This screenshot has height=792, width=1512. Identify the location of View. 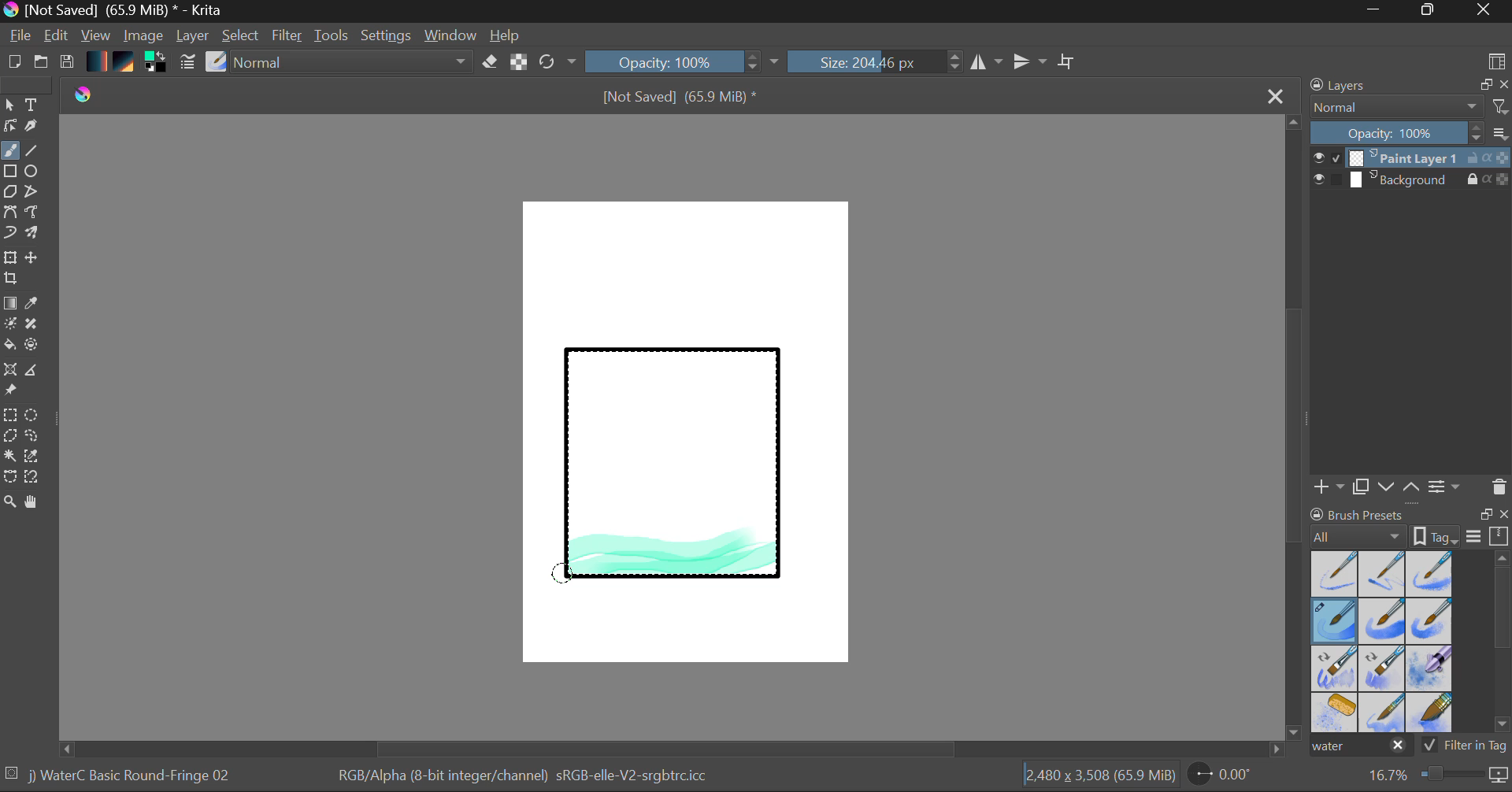
(96, 35).